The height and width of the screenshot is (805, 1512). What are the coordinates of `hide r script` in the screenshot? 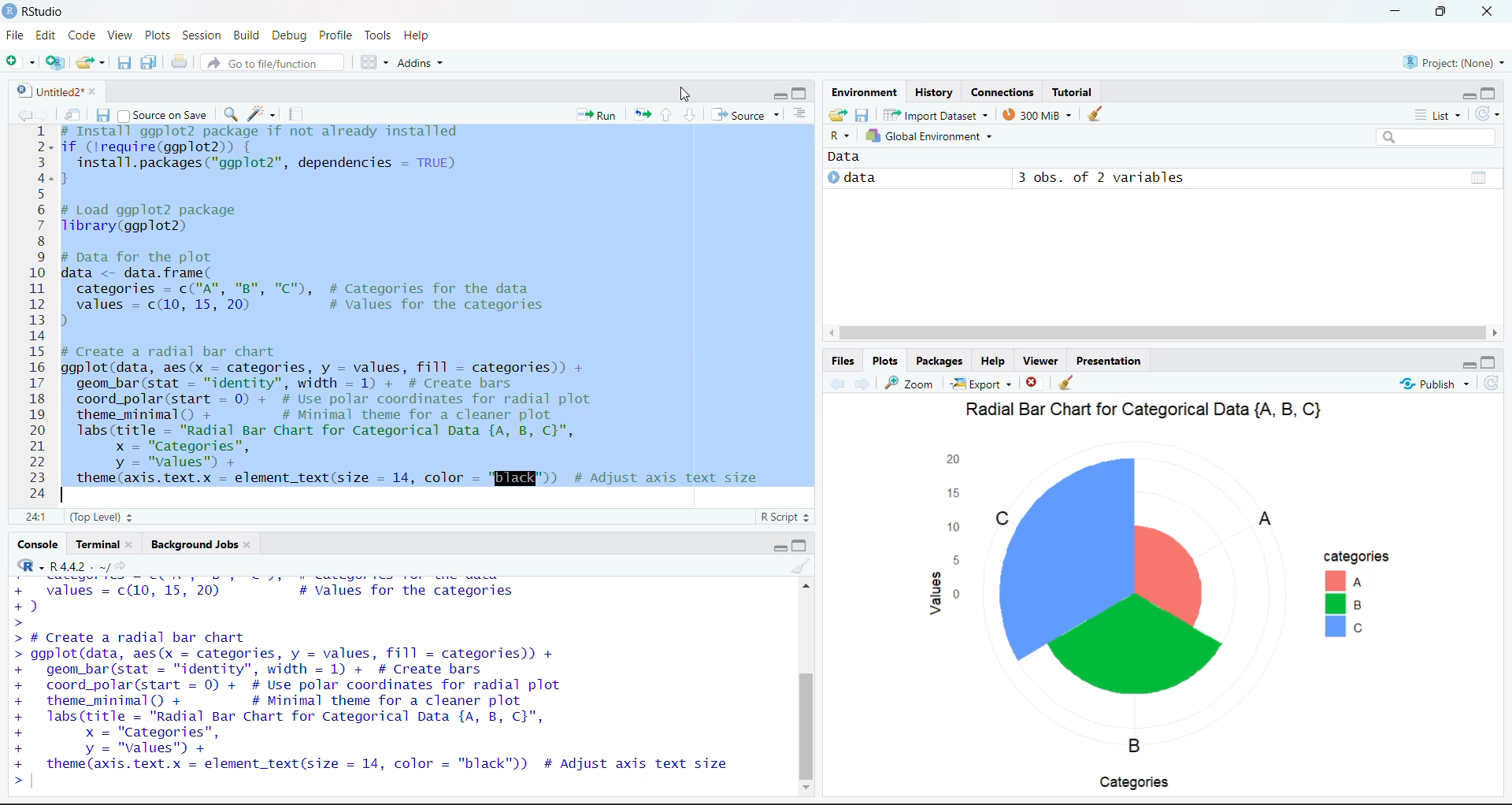 It's located at (774, 95).